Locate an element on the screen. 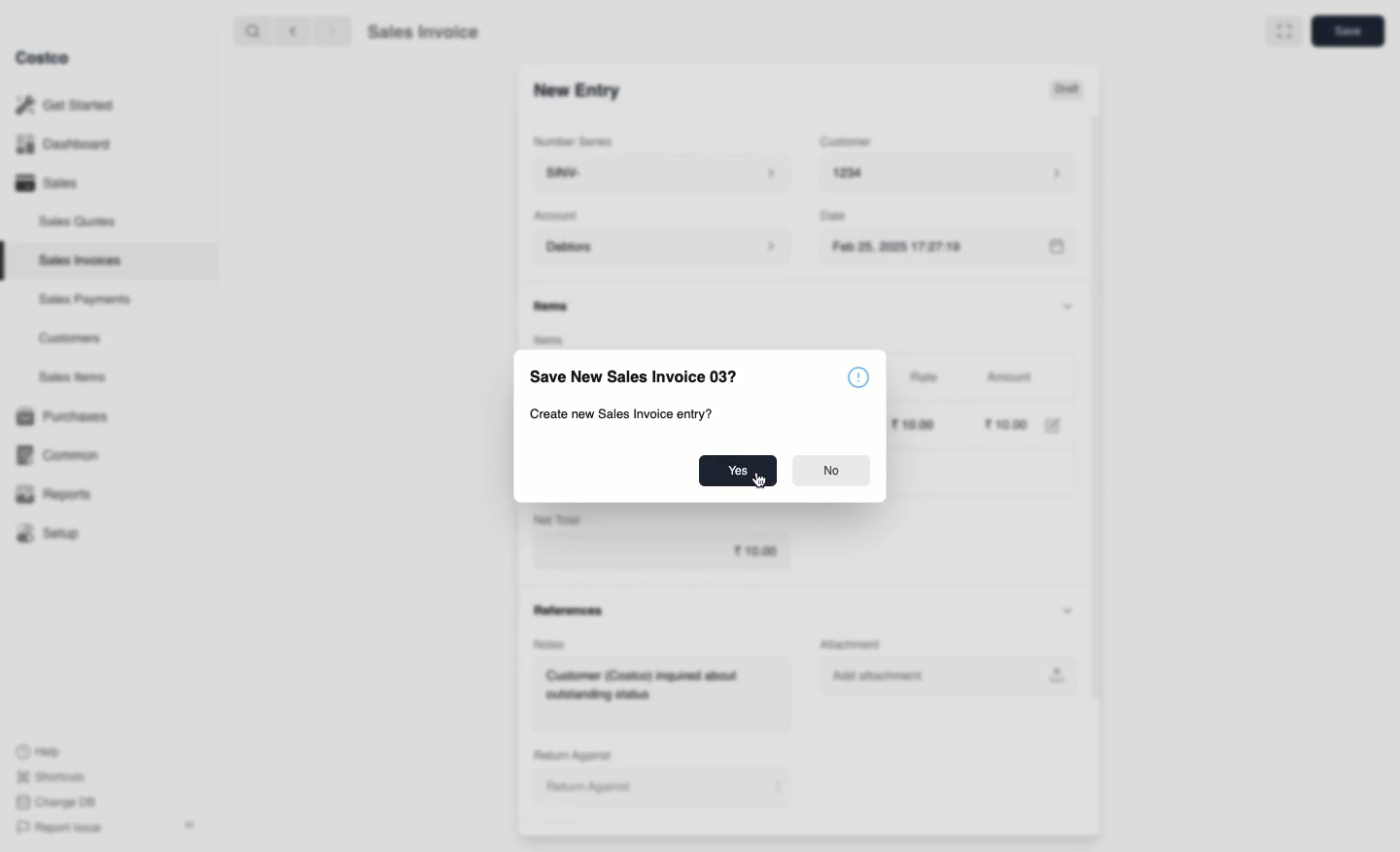  cursor is located at coordinates (759, 481).